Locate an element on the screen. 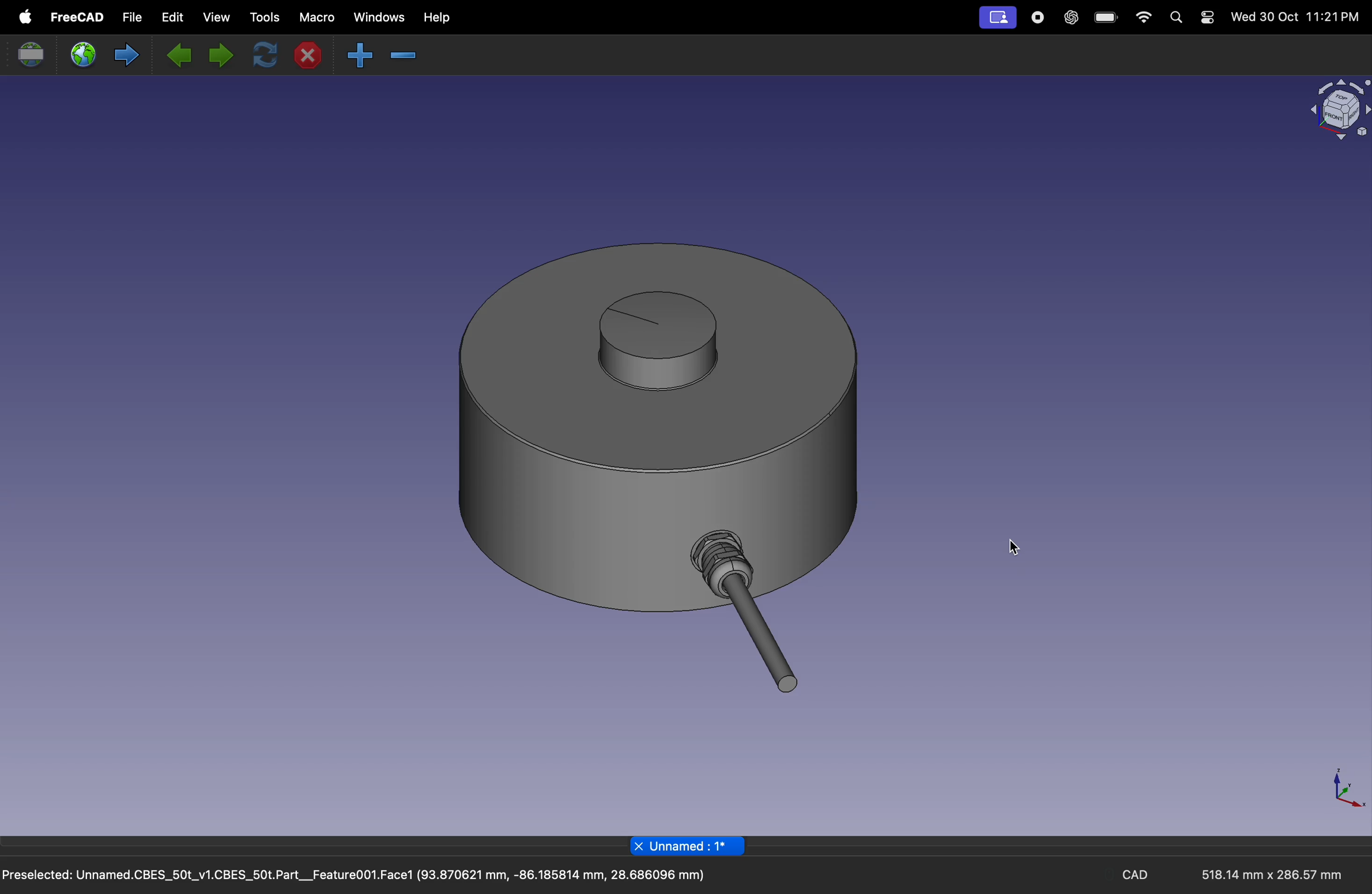  wifi is located at coordinates (1143, 19).